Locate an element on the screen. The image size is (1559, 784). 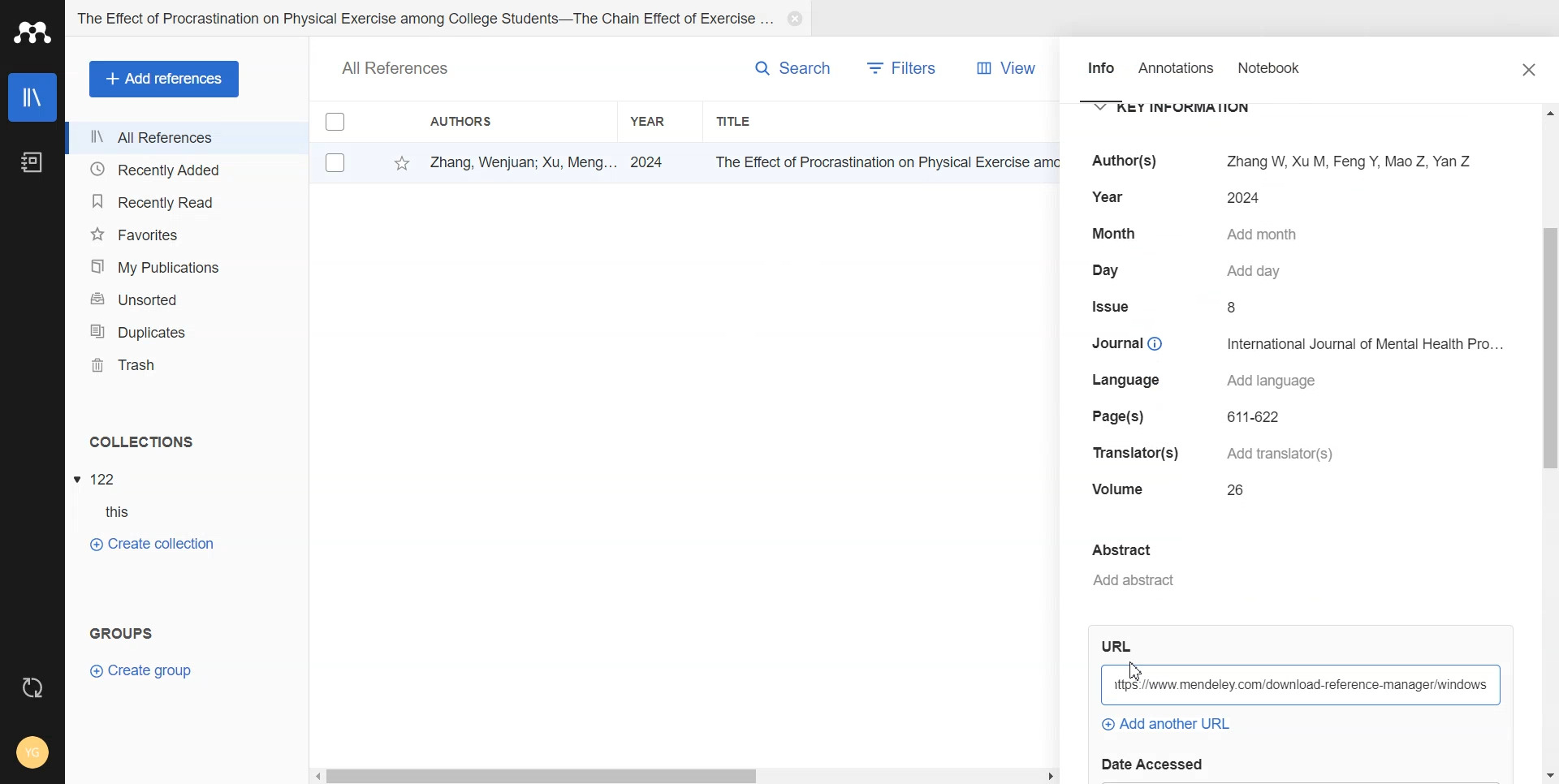
Year 2024 is located at coordinates (1172, 199).